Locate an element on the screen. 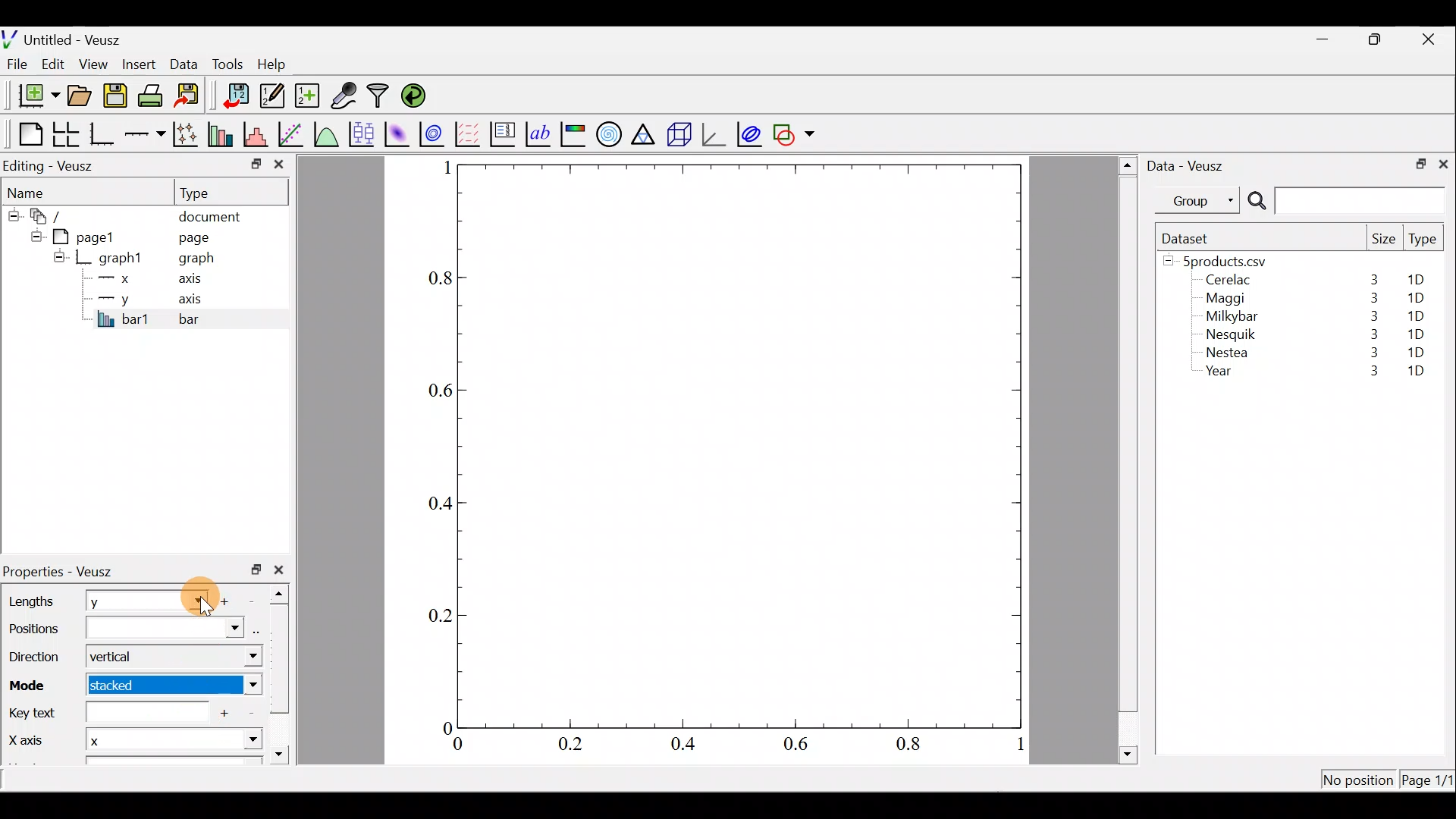  0.2 is located at coordinates (441, 614).